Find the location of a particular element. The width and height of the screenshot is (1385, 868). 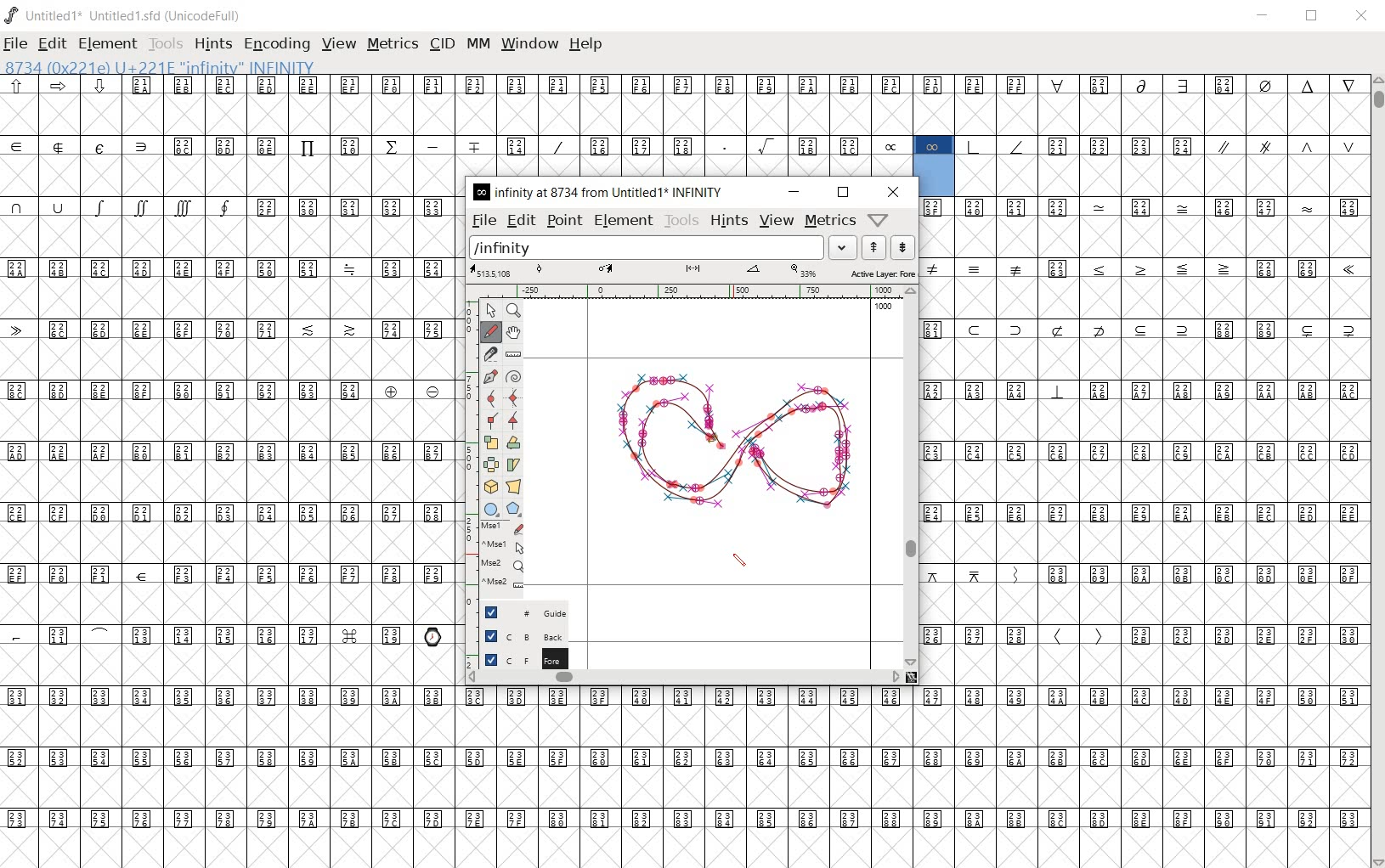

Unicode code points is located at coordinates (689, 758).